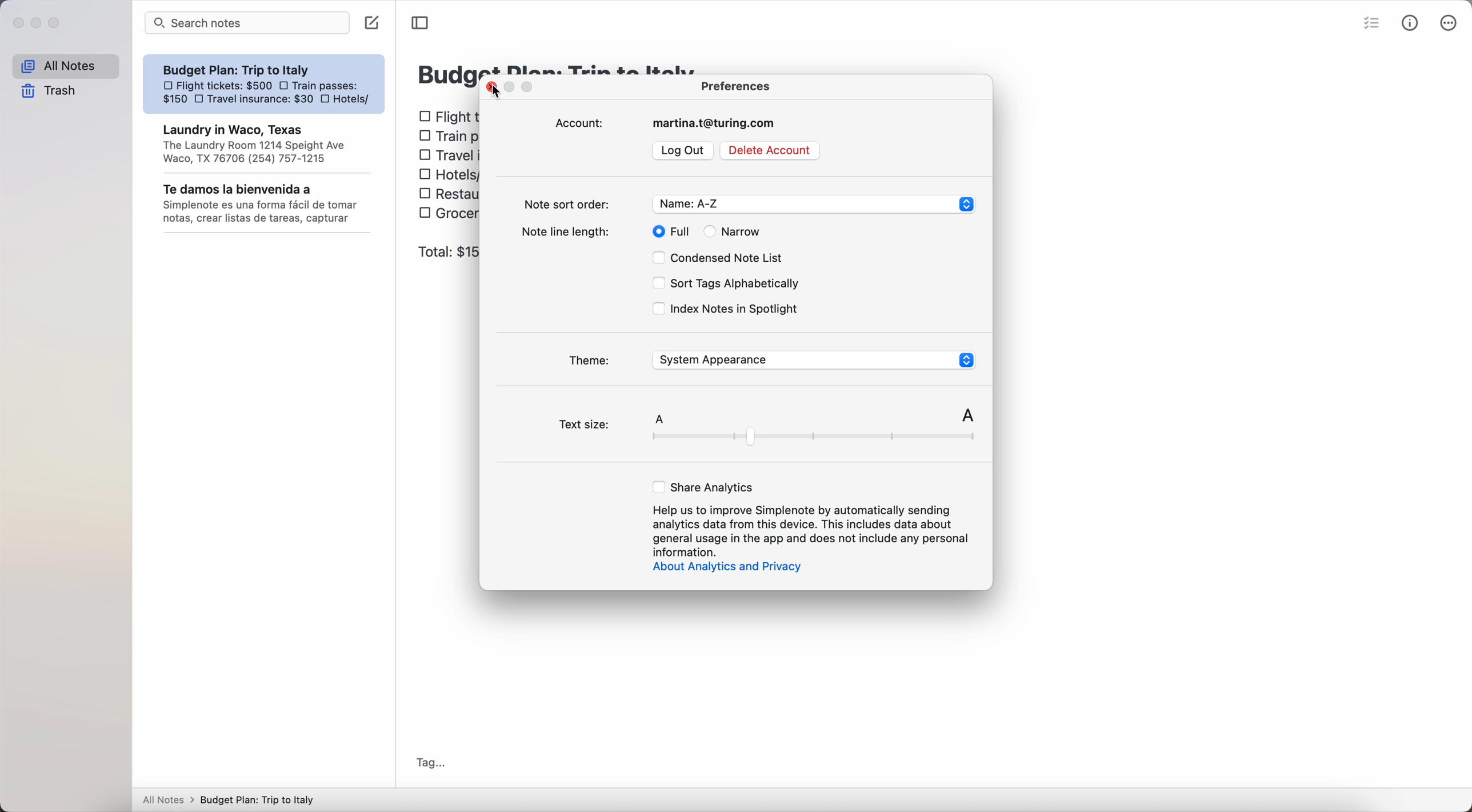 Image resolution: width=1472 pixels, height=812 pixels. Describe the element at coordinates (497, 102) in the screenshot. I see `cursor` at that location.